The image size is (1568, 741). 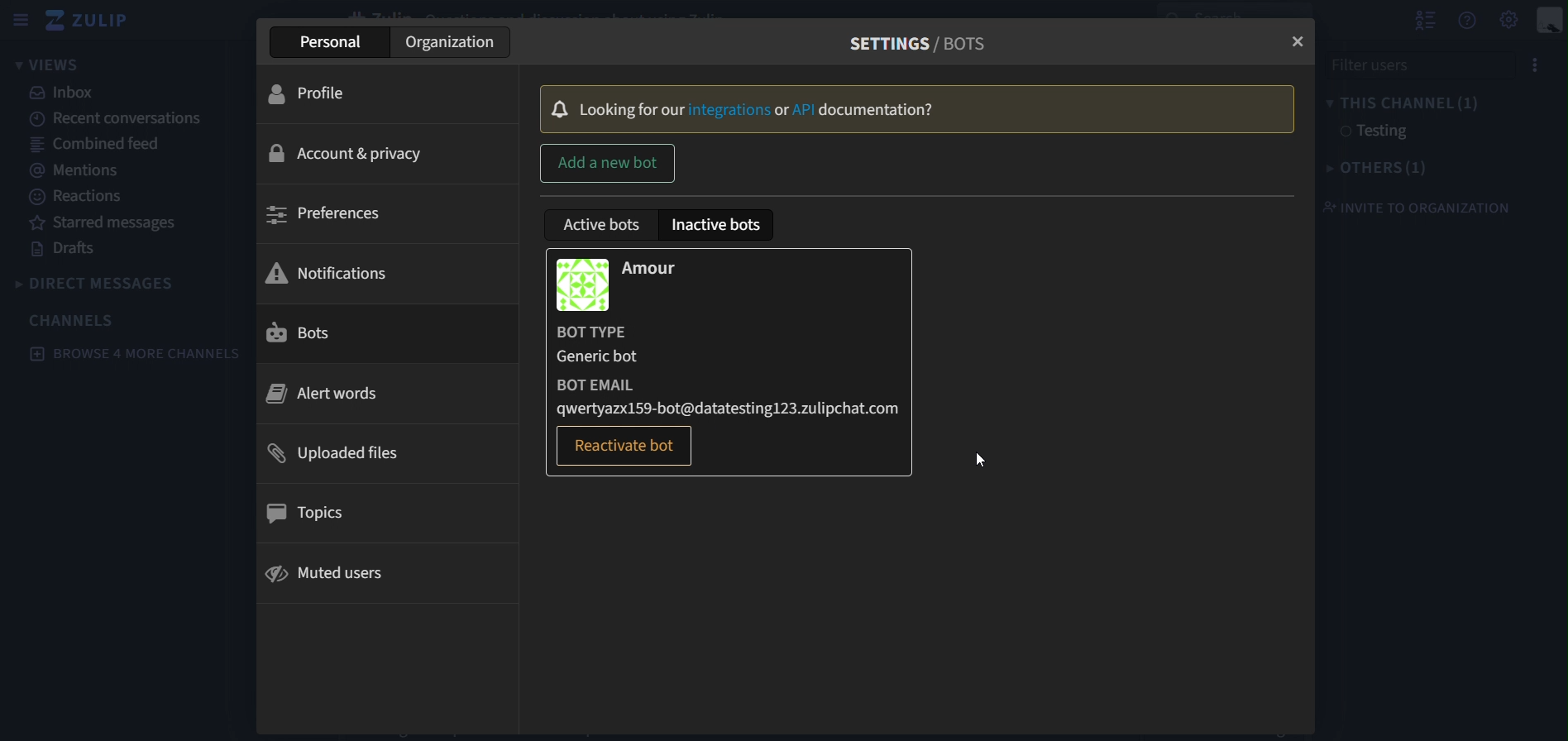 What do you see at coordinates (107, 222) in the screenshot?
I see `starred messages` at bounding box center [107, 222].